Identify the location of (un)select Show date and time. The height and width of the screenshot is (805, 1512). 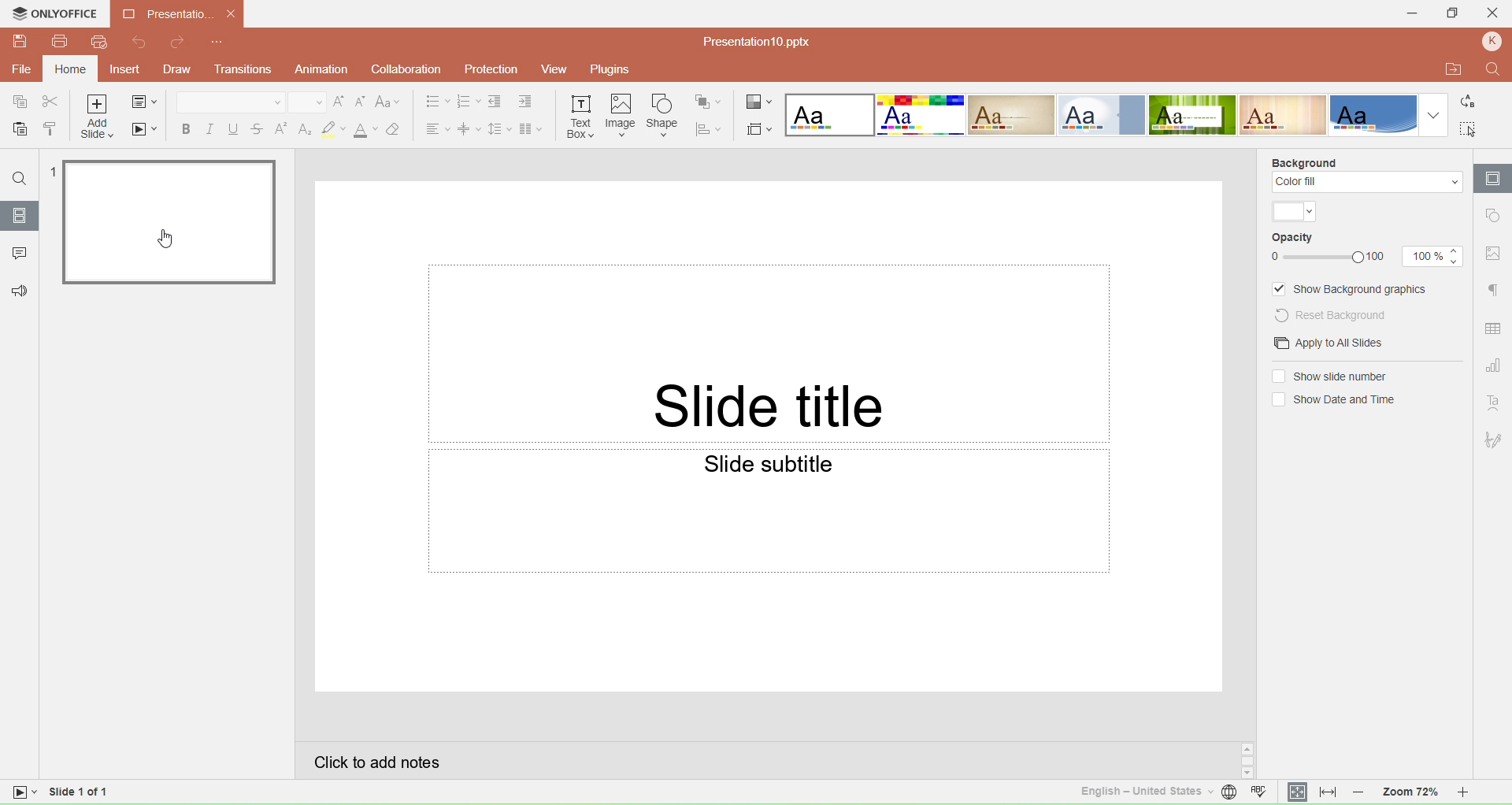
(1332, 400).